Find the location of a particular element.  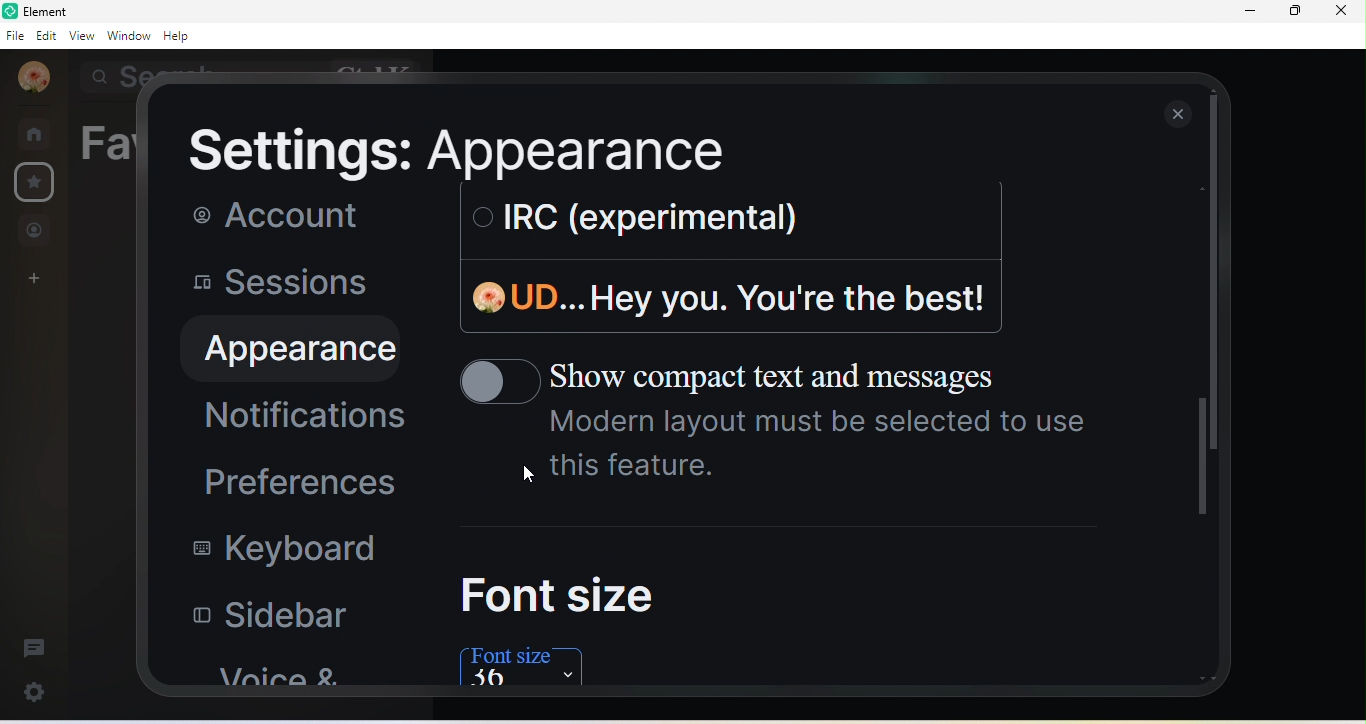

edit is located at coordinates (48, 39).